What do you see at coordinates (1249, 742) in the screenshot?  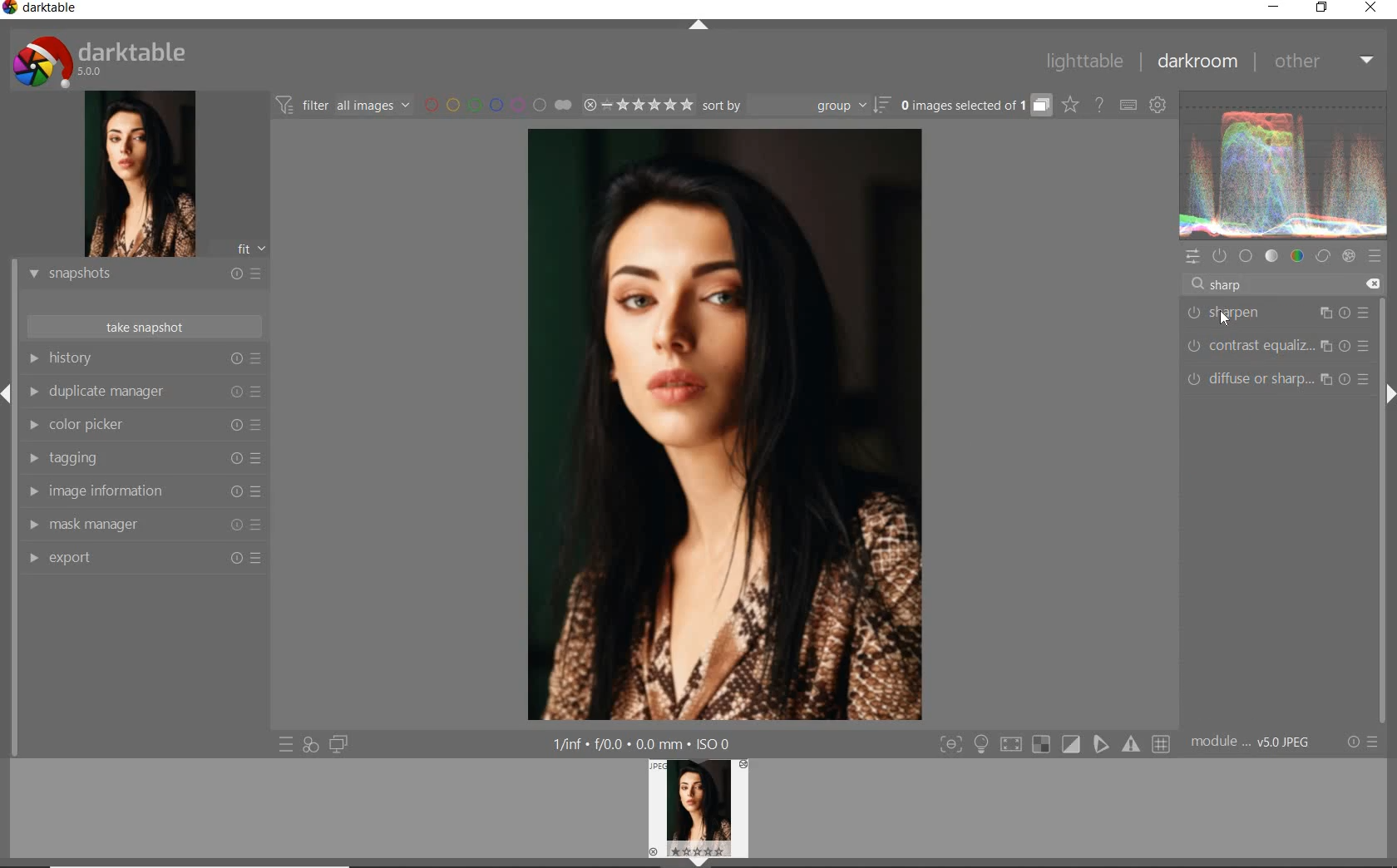 I see `module..v50JPEG` at bounding box center [1249, 742].